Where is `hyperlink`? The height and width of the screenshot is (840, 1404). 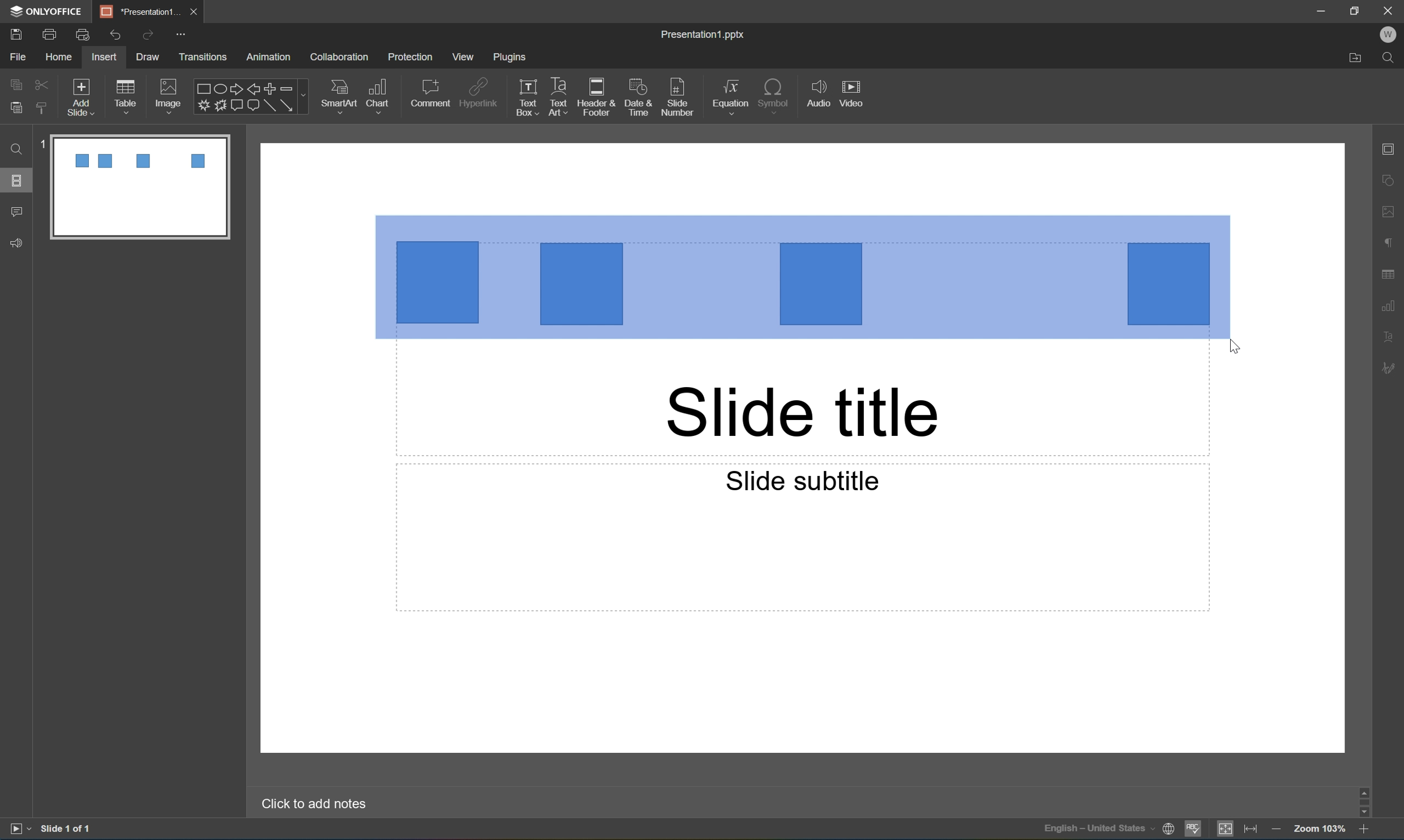
hyperlink is located at coordinates (480, 91).